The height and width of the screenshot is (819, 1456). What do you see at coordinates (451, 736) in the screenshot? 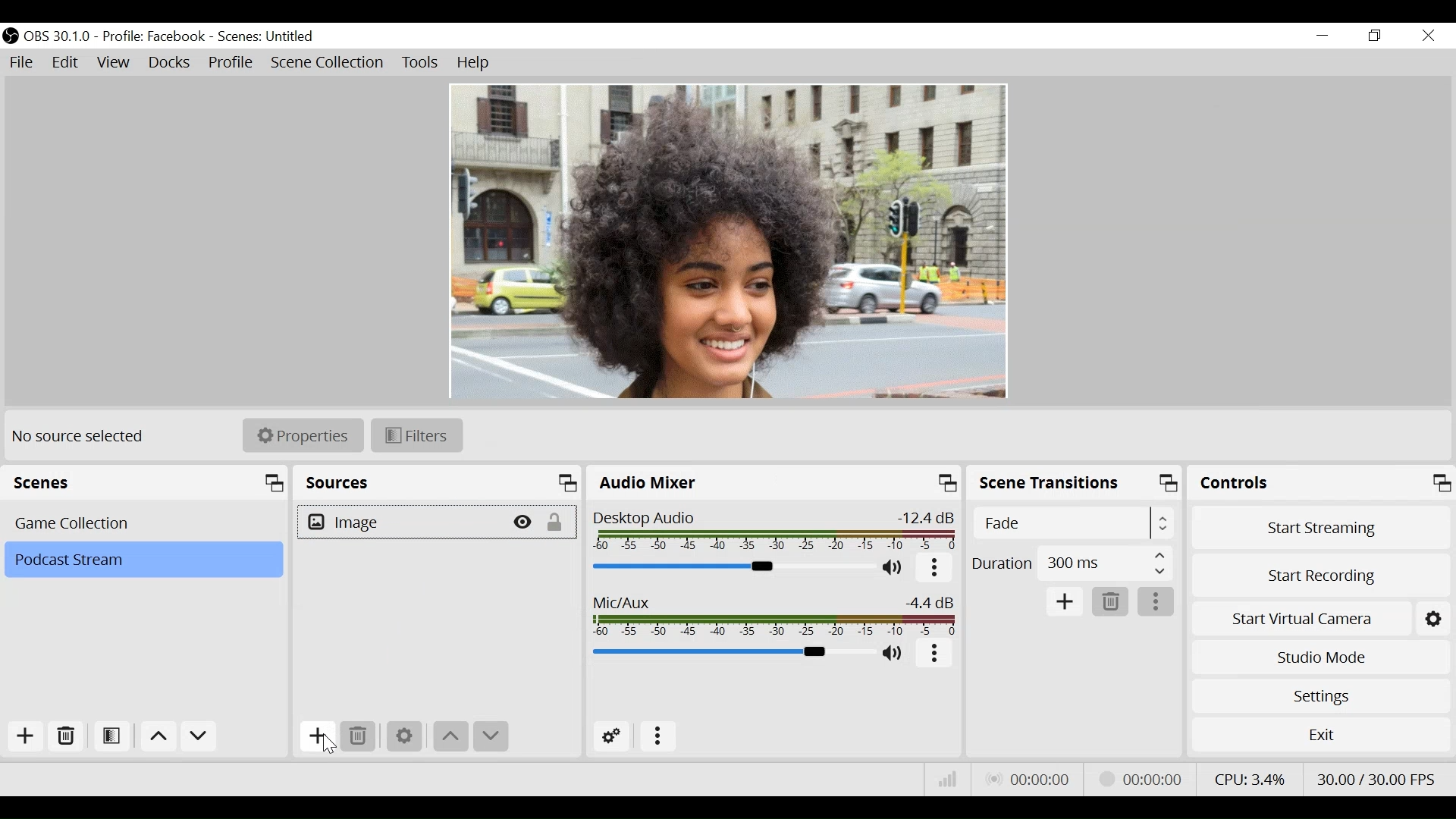
I see `Move up` at bounding box center [451, 736].